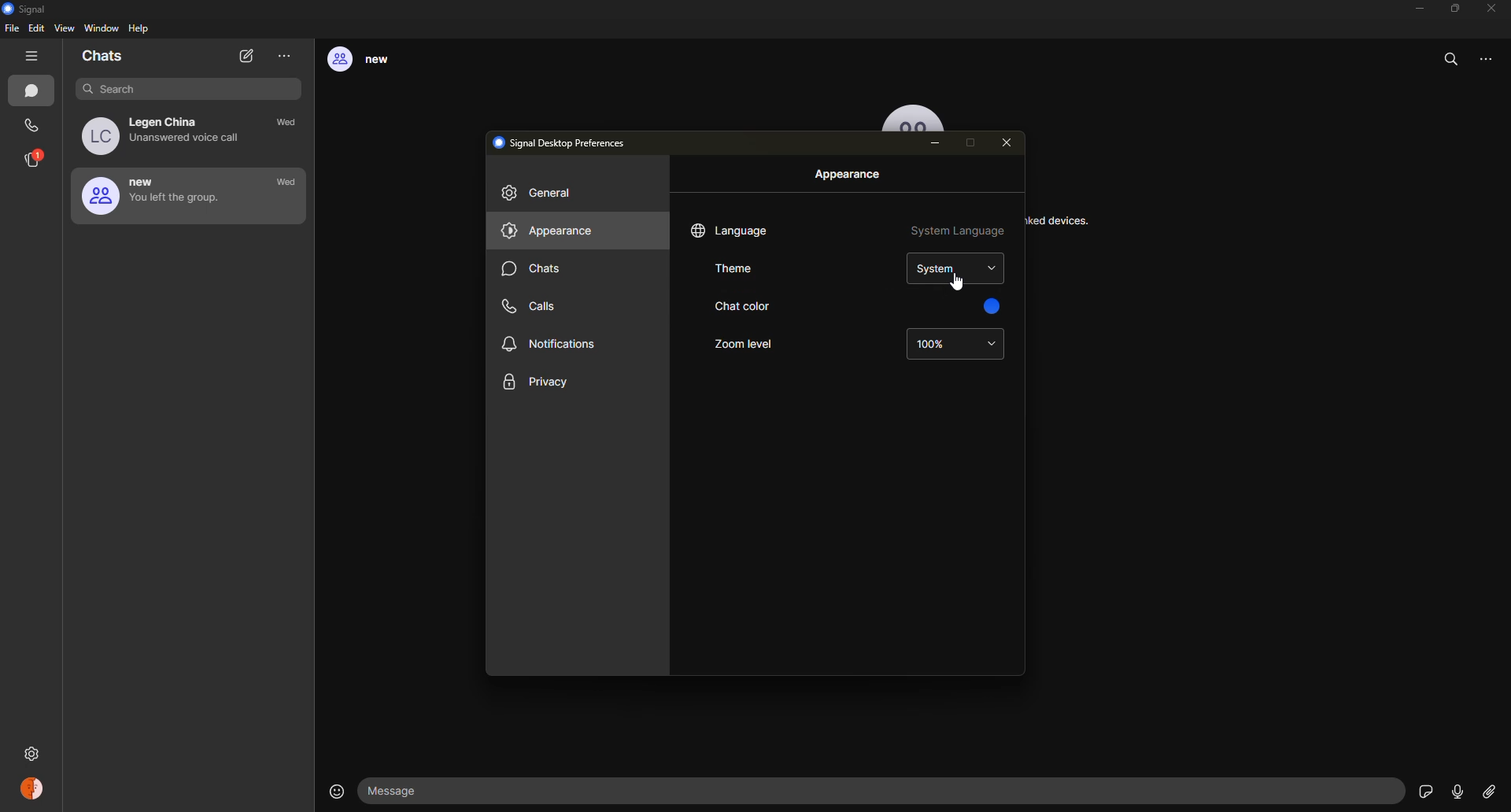 This screenshot has width=1511, height=812. What do you see at coordinates (29, 9) in the screenshot?
I see `signal logo` at bounding box center [29, 9].